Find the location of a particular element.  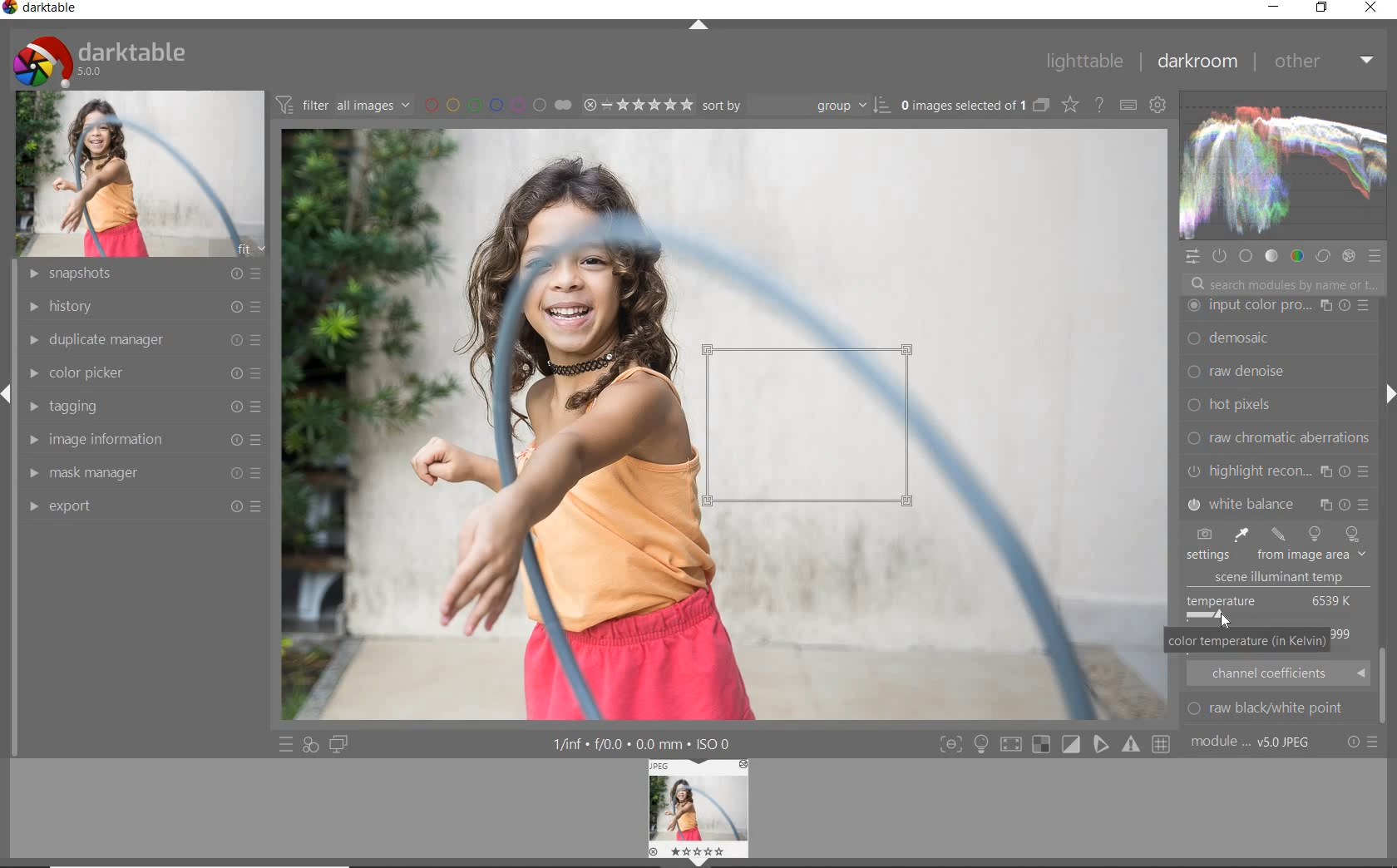

show only active module is located at coordinates (1221, 257).